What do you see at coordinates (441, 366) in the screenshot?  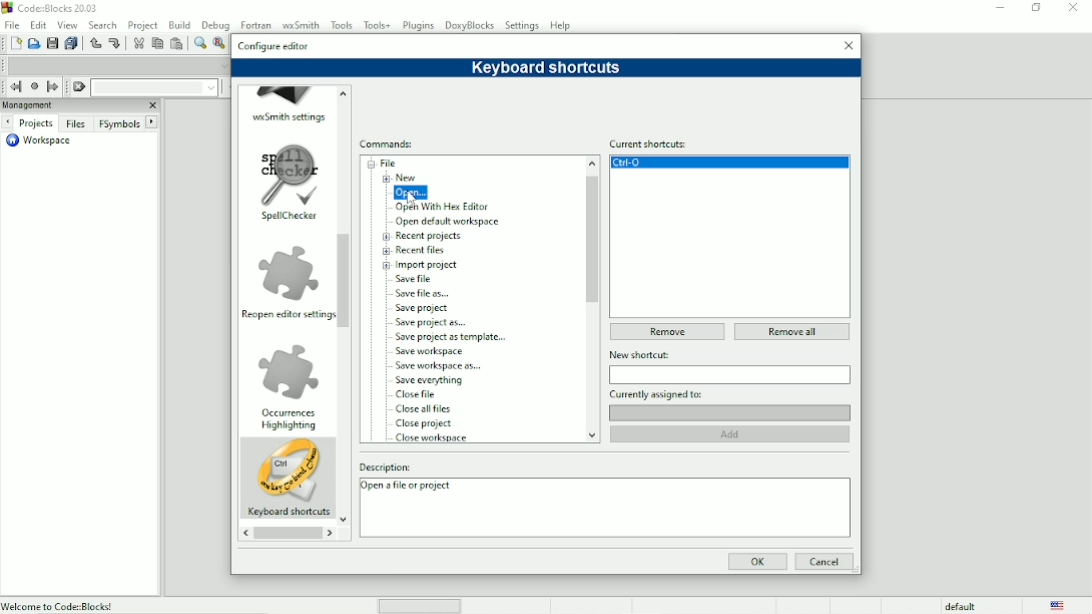 I see `Save workspace as` at bounding box center [441, 366].